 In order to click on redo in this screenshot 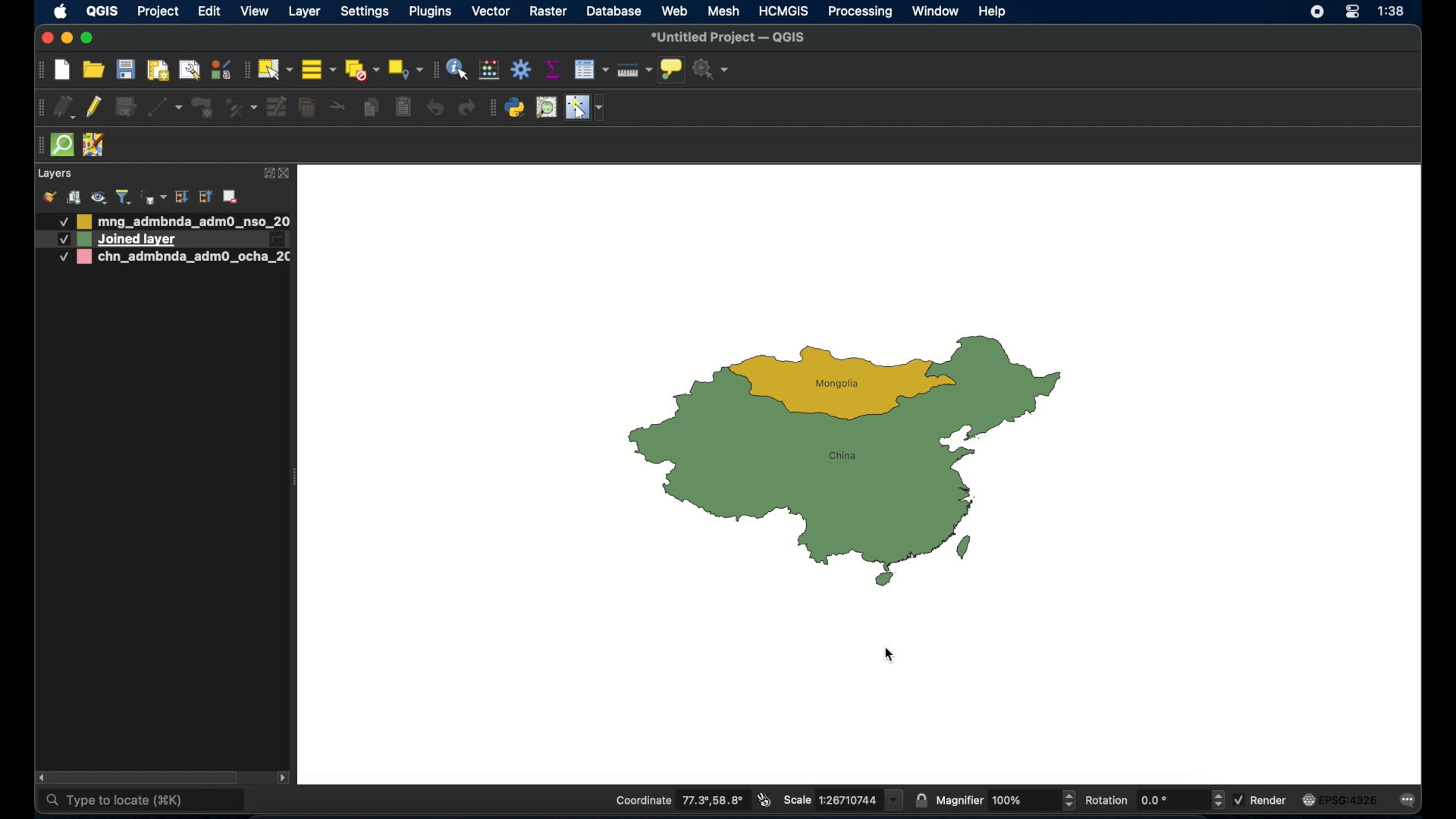, I will do `click(466, 109)`.